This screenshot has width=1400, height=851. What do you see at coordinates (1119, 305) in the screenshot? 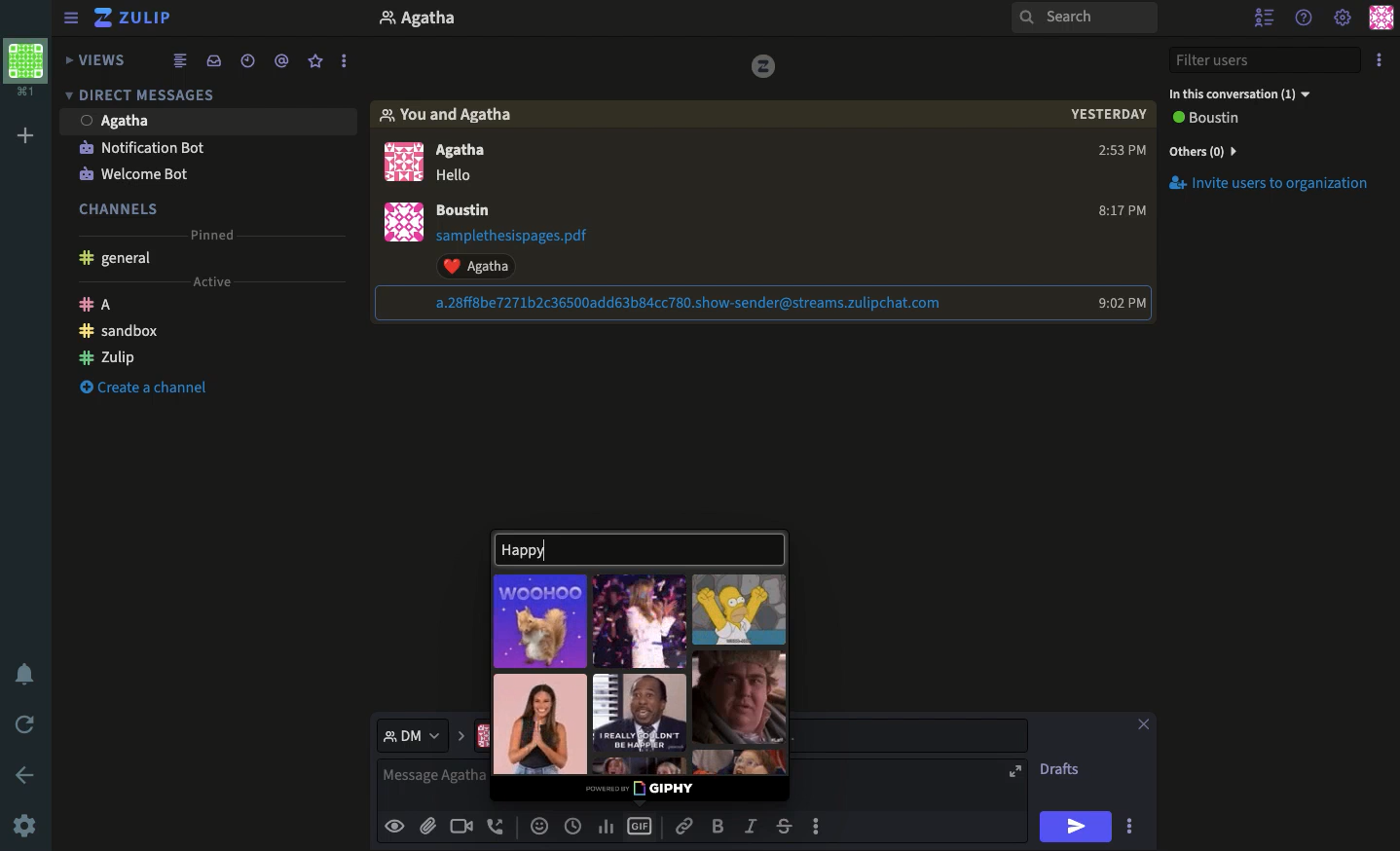
I see `time` at bounding box center [1119, 305].